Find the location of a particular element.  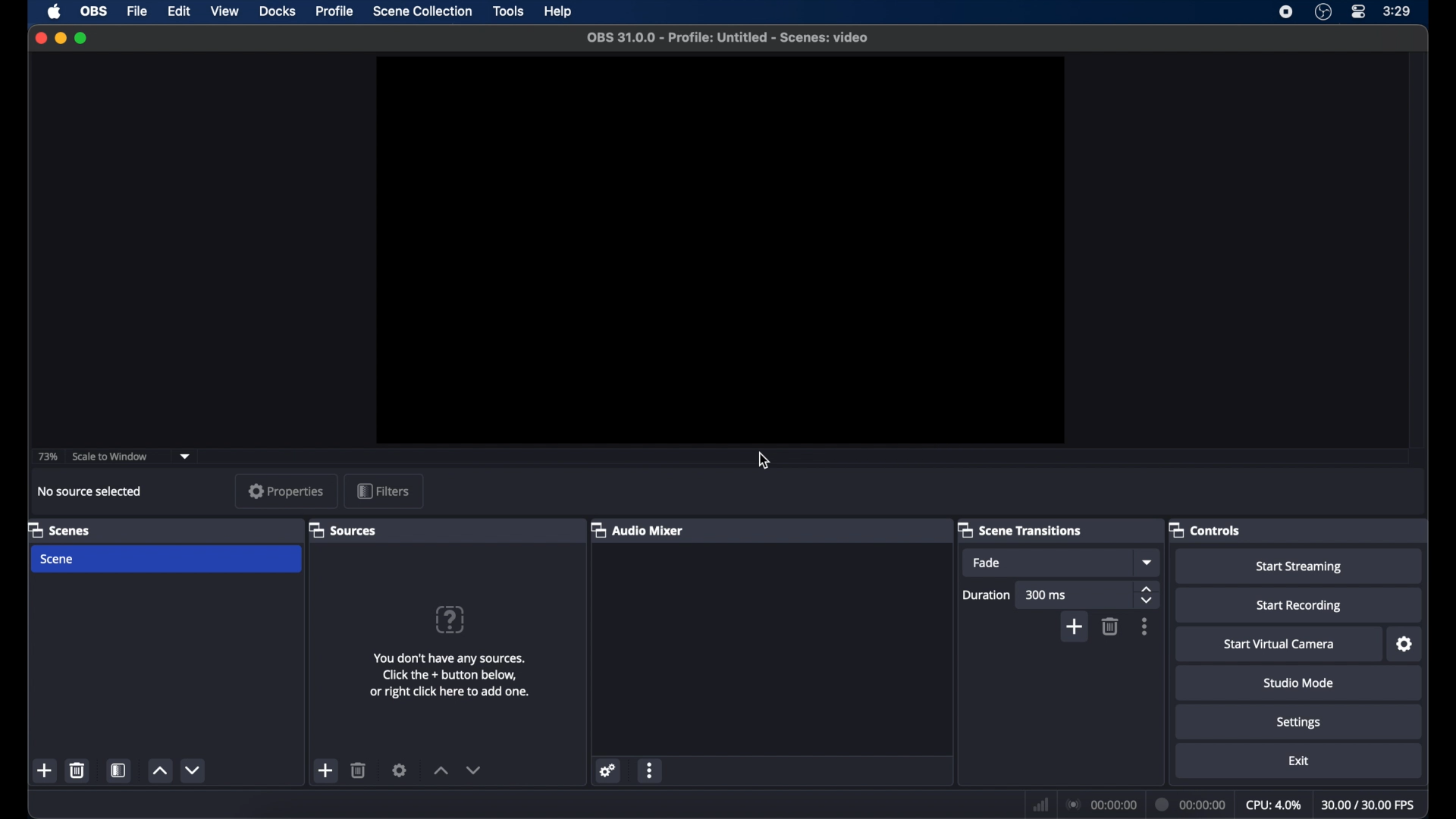

fade is located at coordinates (987, 563).